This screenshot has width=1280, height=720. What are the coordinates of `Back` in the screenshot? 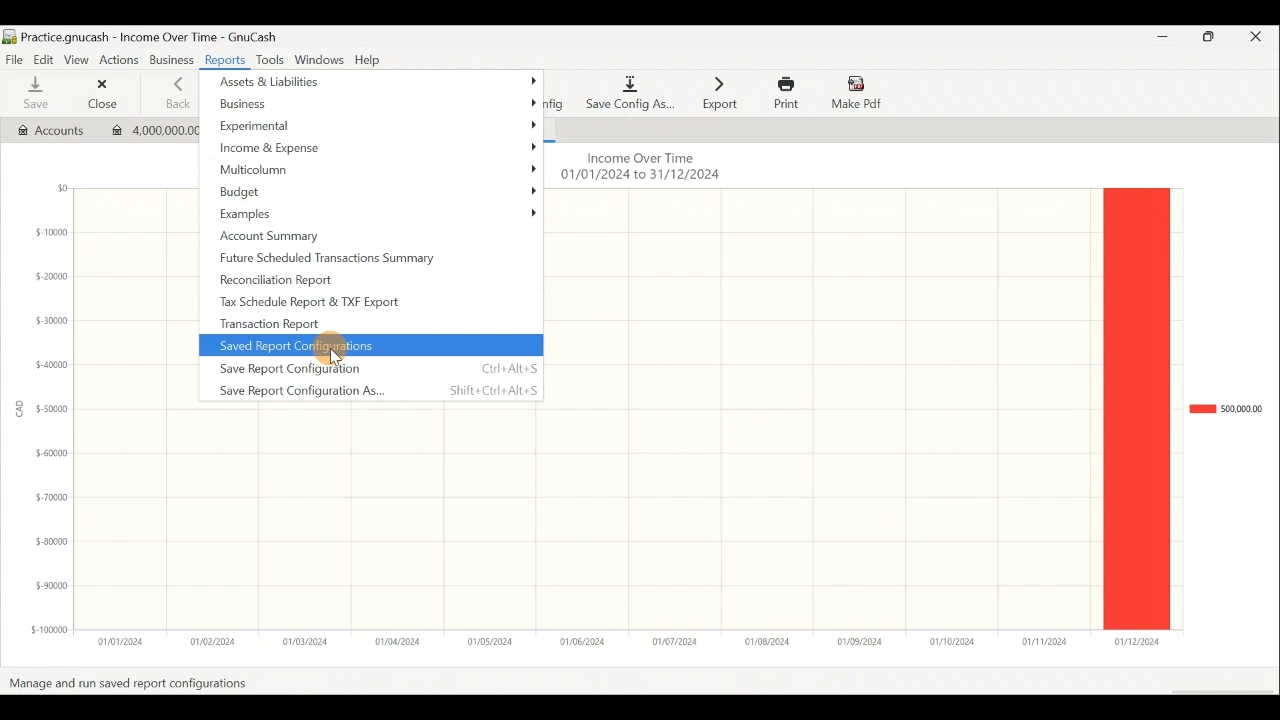 It's located at (172, 93).